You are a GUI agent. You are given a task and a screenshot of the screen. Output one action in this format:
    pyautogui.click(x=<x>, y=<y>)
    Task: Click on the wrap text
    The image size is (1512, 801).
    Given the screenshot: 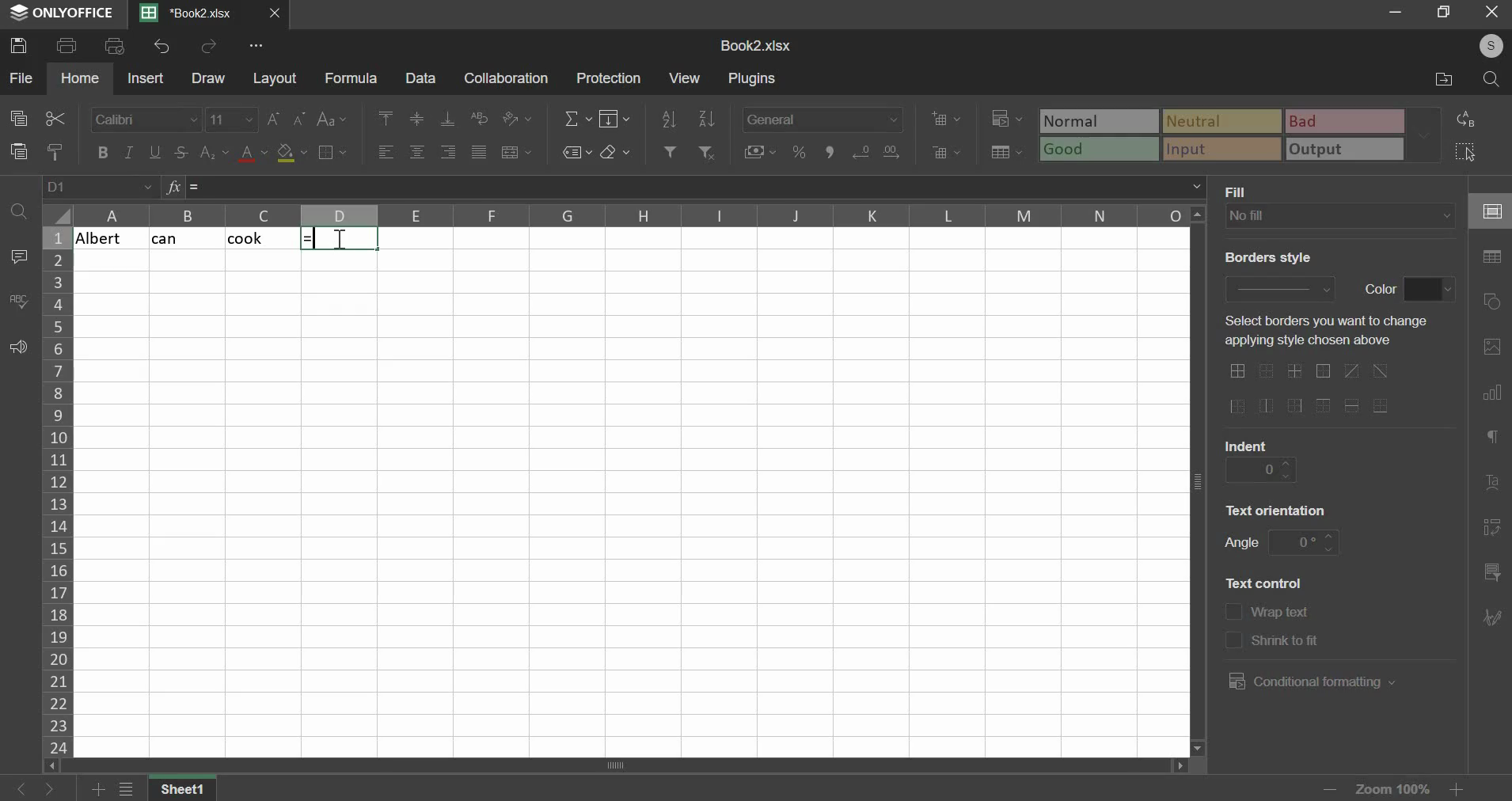 What is the action you would take?
    pyautogui.click(x=481, y=116)
    